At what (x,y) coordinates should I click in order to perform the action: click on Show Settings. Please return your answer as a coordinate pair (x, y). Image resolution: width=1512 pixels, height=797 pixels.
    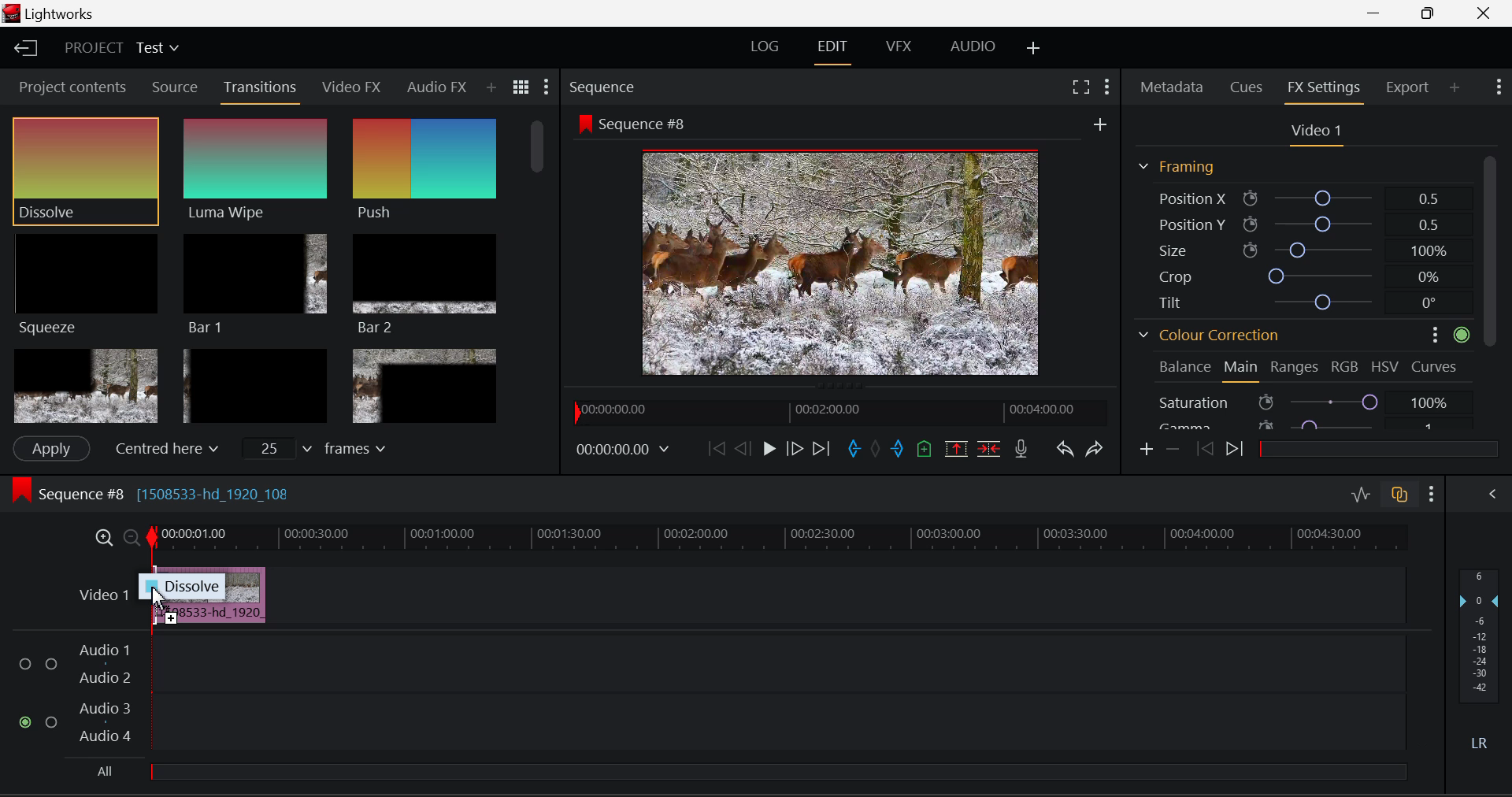
    Looking at the image, I should click on (1432, 495).